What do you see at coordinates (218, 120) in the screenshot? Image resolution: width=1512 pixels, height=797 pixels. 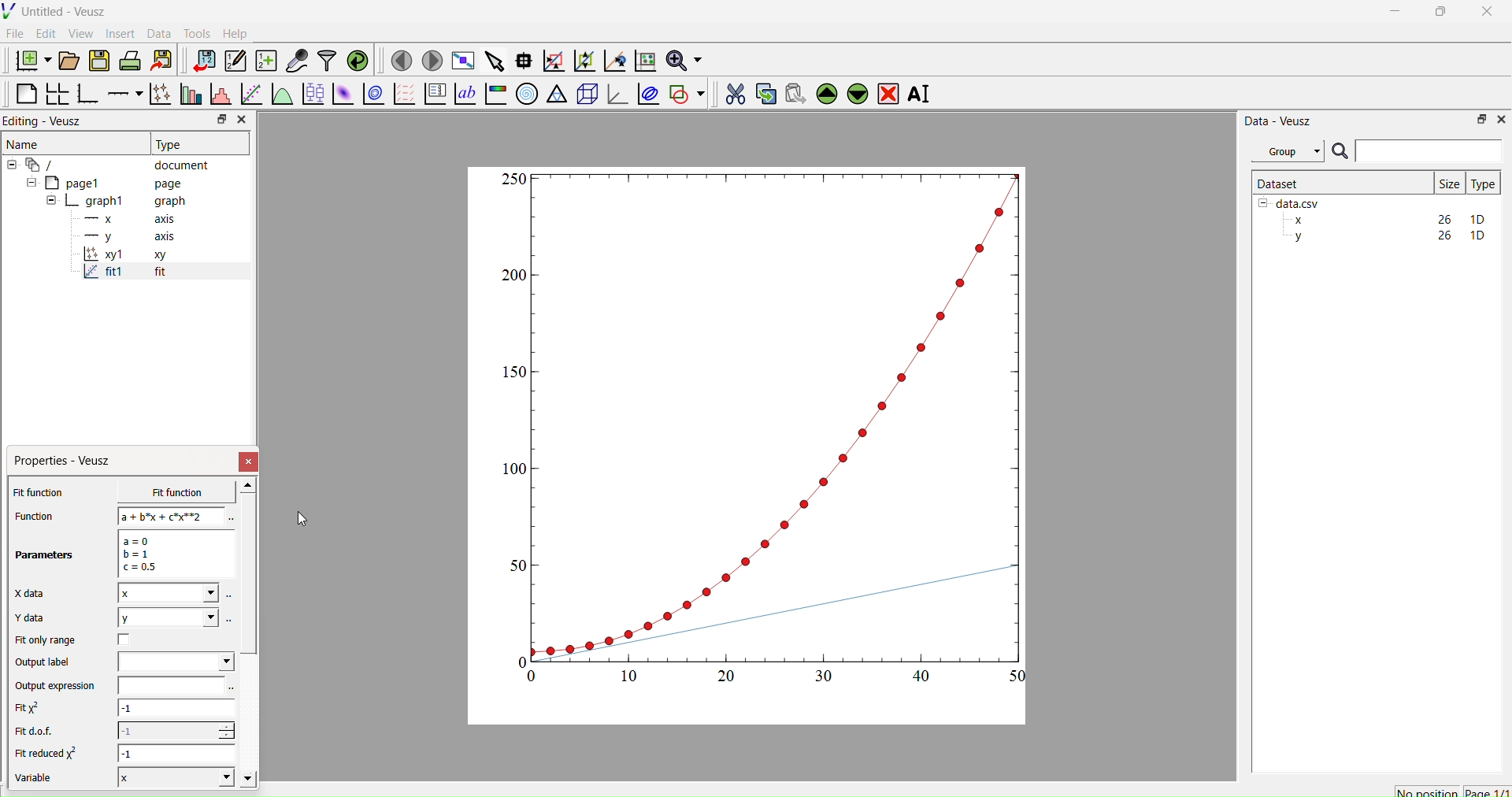 I see `Restore down` at bounding box center [218, 120].